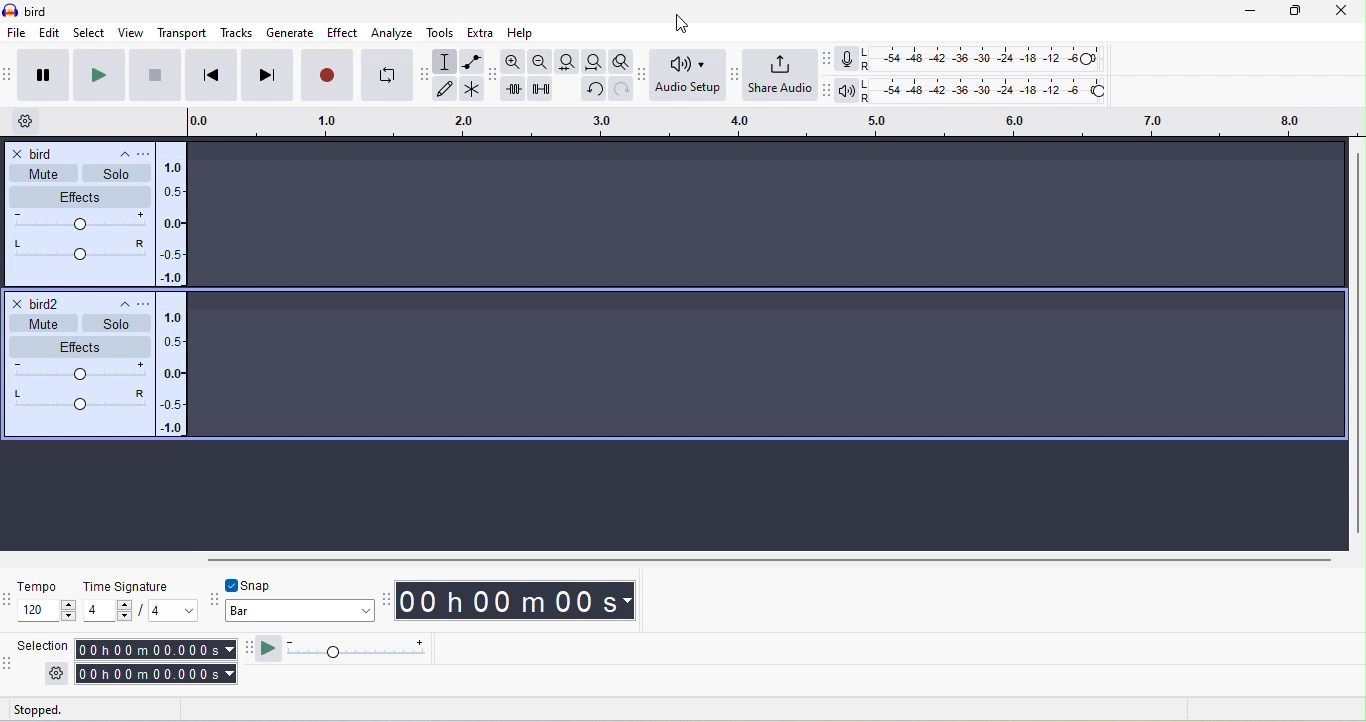  What do you see at coordinates (82, 399) in the screenshot?
I see `pan center` at bounding box center [82, 399].